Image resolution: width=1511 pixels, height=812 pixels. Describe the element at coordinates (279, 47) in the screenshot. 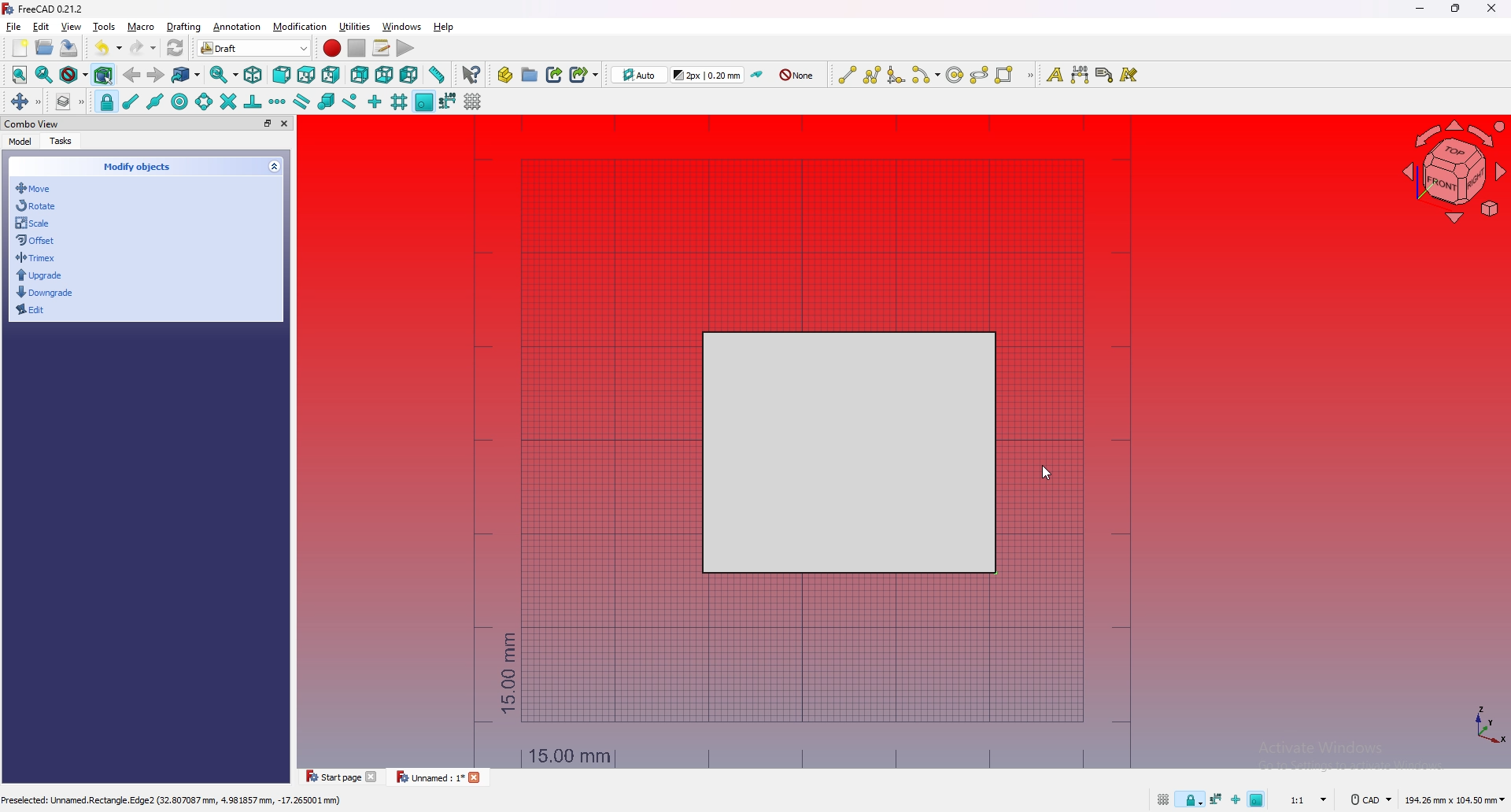

I see `switch between workbenches` at that location.